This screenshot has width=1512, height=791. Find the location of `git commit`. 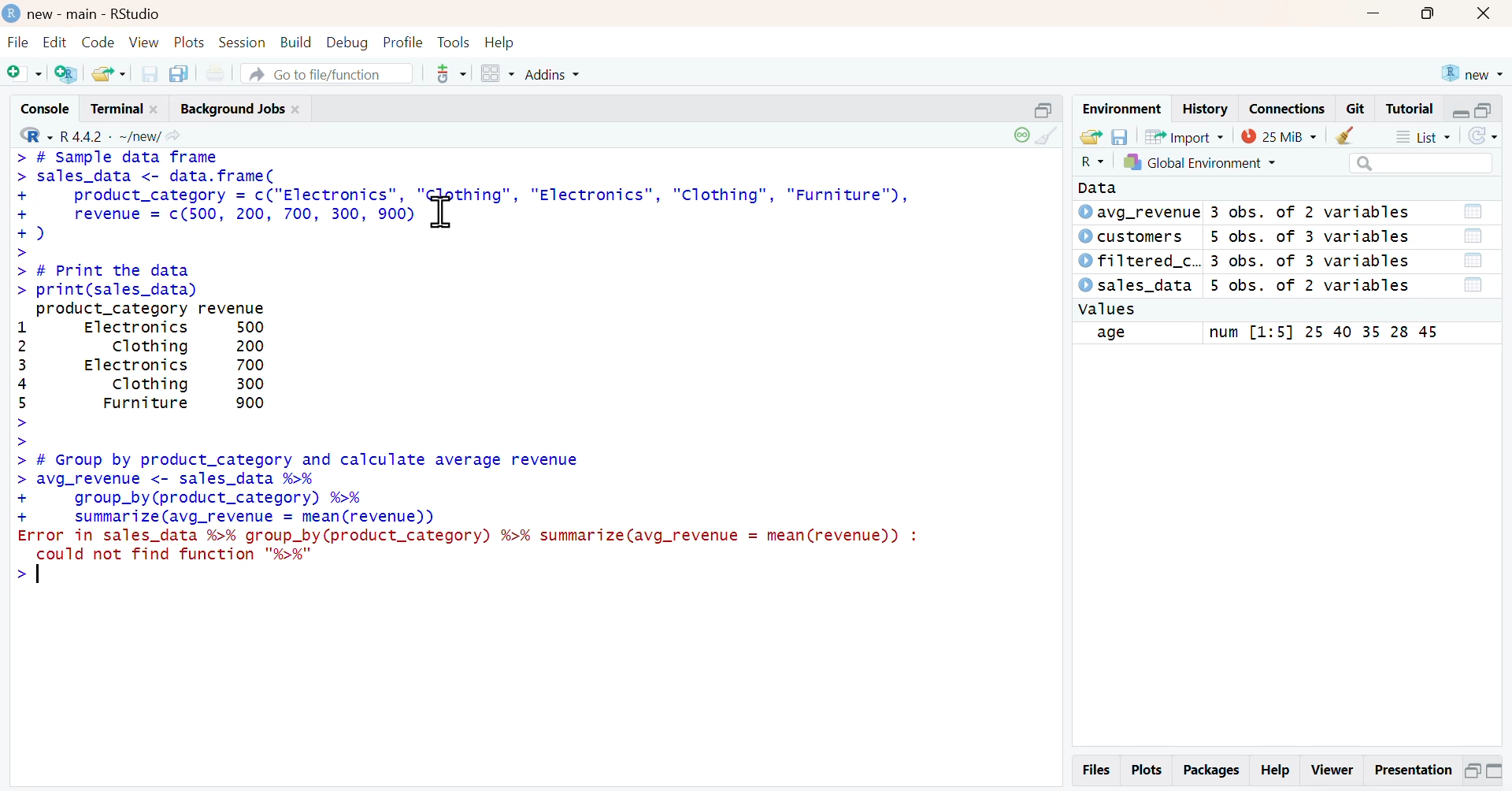

git commit is located at coordinates (446, 74).